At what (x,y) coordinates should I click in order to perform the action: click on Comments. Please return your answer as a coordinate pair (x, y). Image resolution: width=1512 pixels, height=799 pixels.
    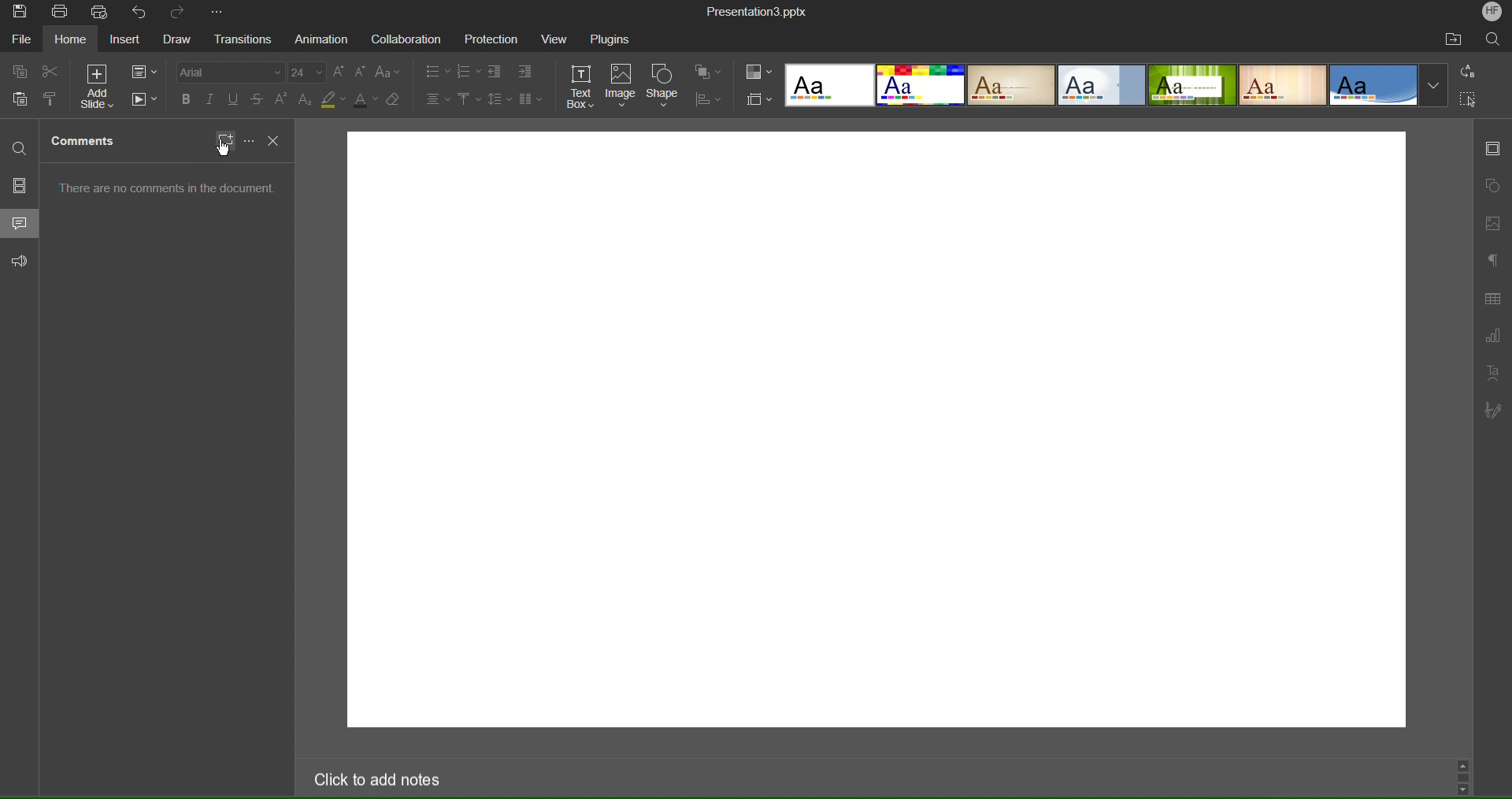
    Looking at the image, I should click on (86, 142).